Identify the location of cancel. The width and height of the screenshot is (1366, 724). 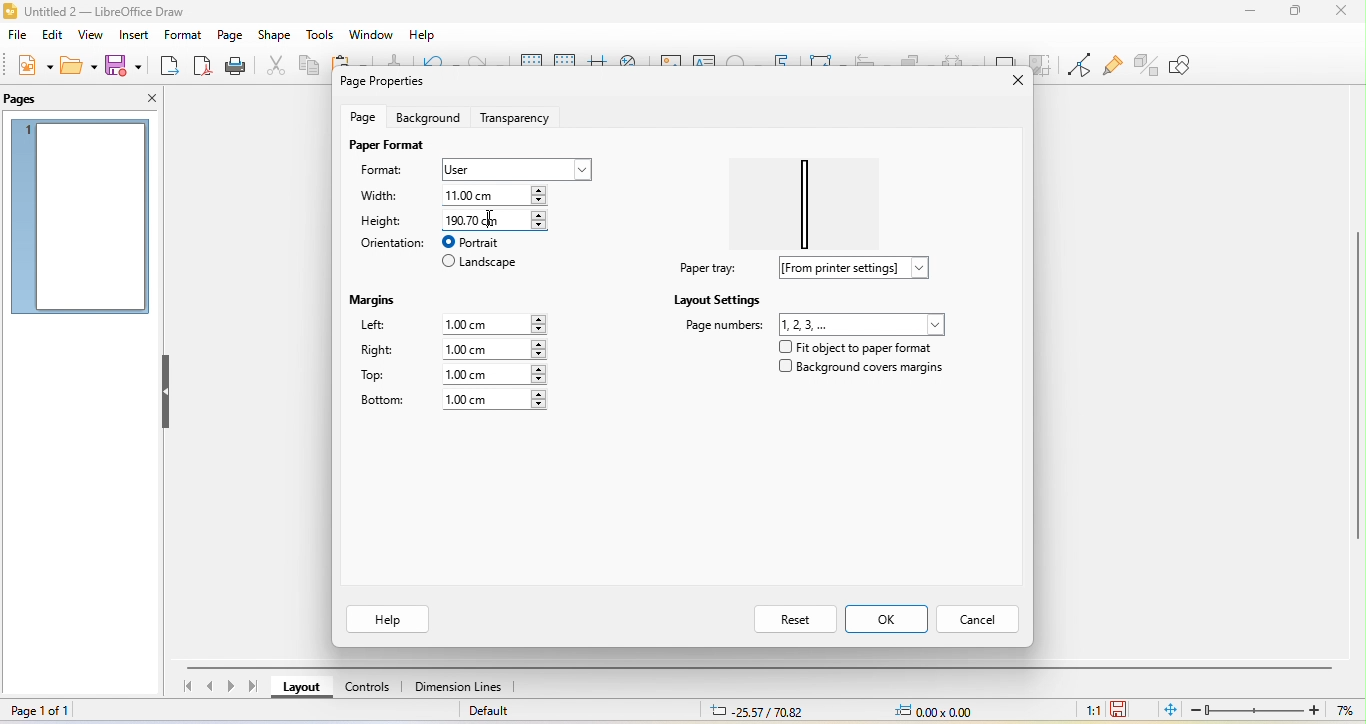
(981, 617).